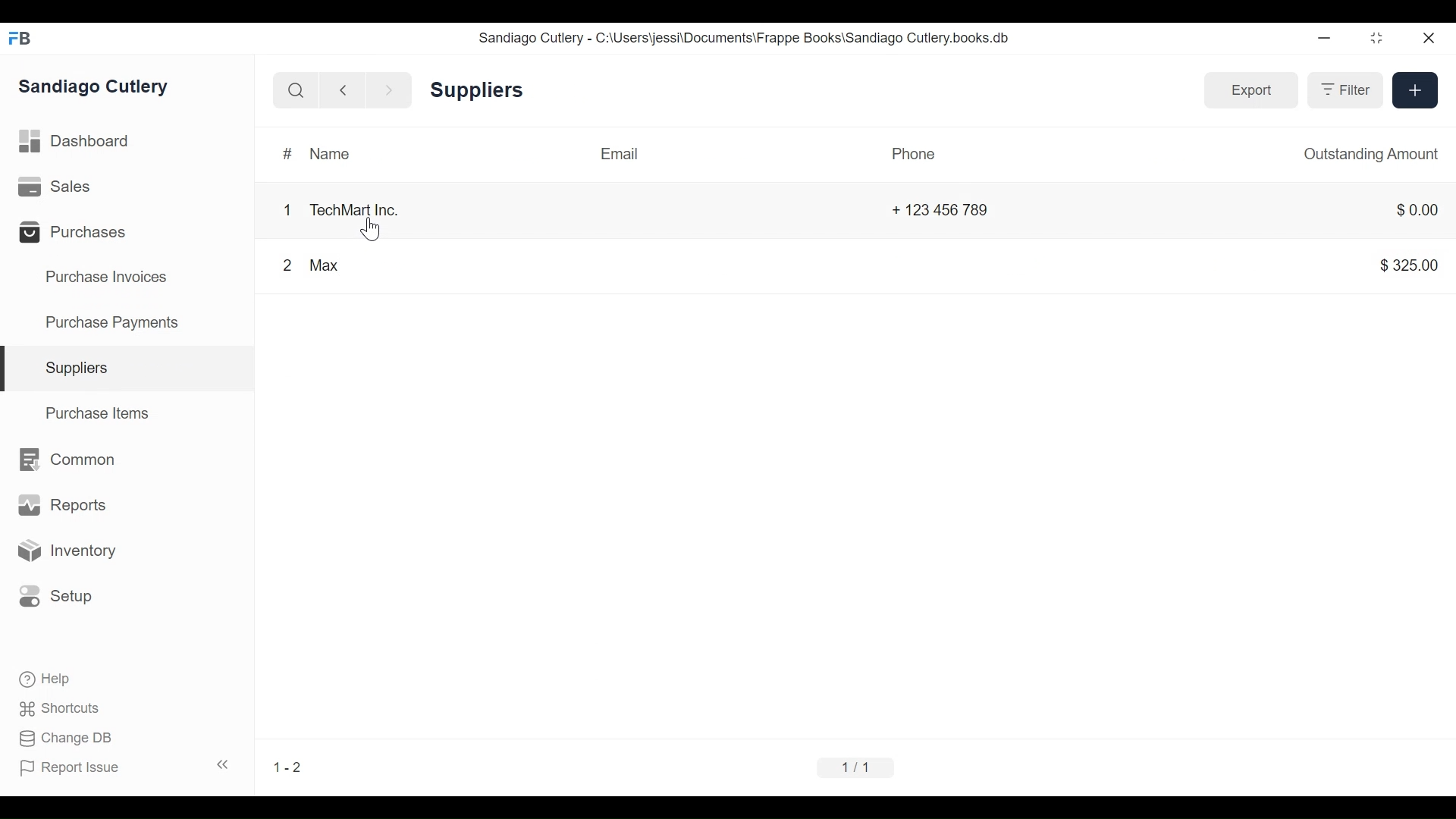 This screenshot has height=819, width=1456. Describe the element at coordinates (281, 152) in the screenshot. I see `#` at that location.